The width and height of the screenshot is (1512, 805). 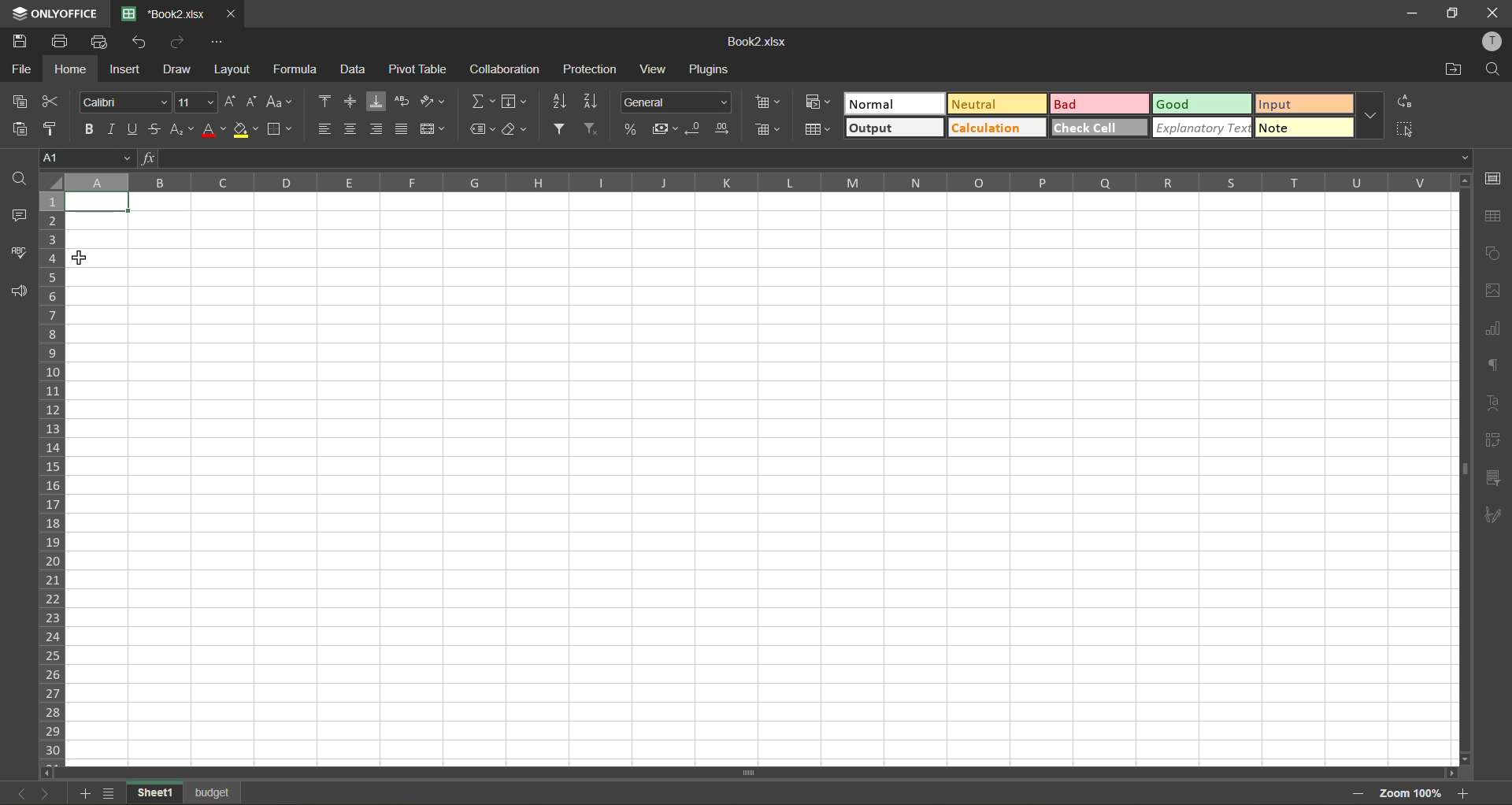 What do you see at coordinates (1497, 328) in the screenshot?
I see `charts` at bounding box center [1497, 328].